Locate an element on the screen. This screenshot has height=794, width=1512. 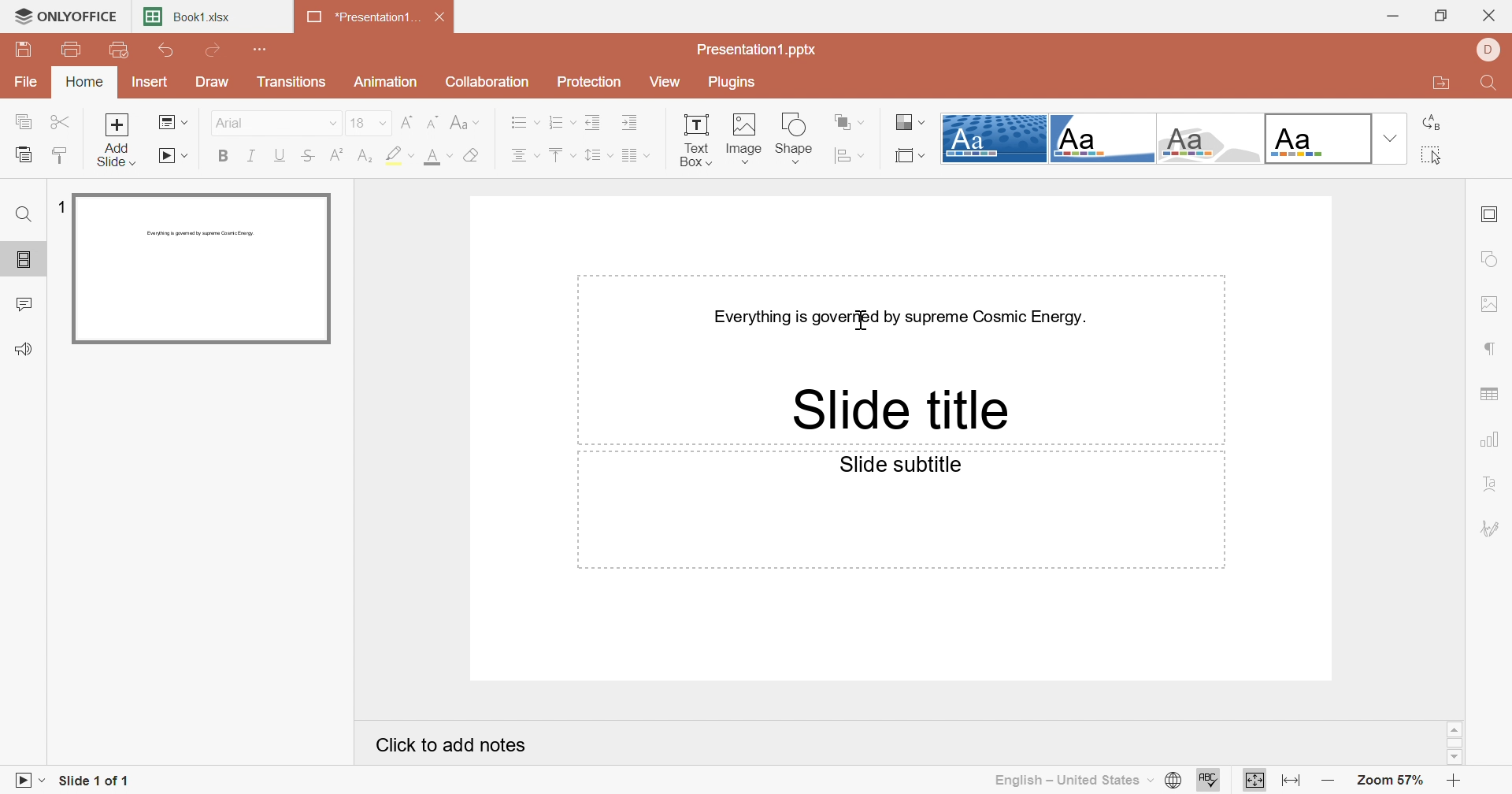
Line spacing is located at coordinates (600, 154).